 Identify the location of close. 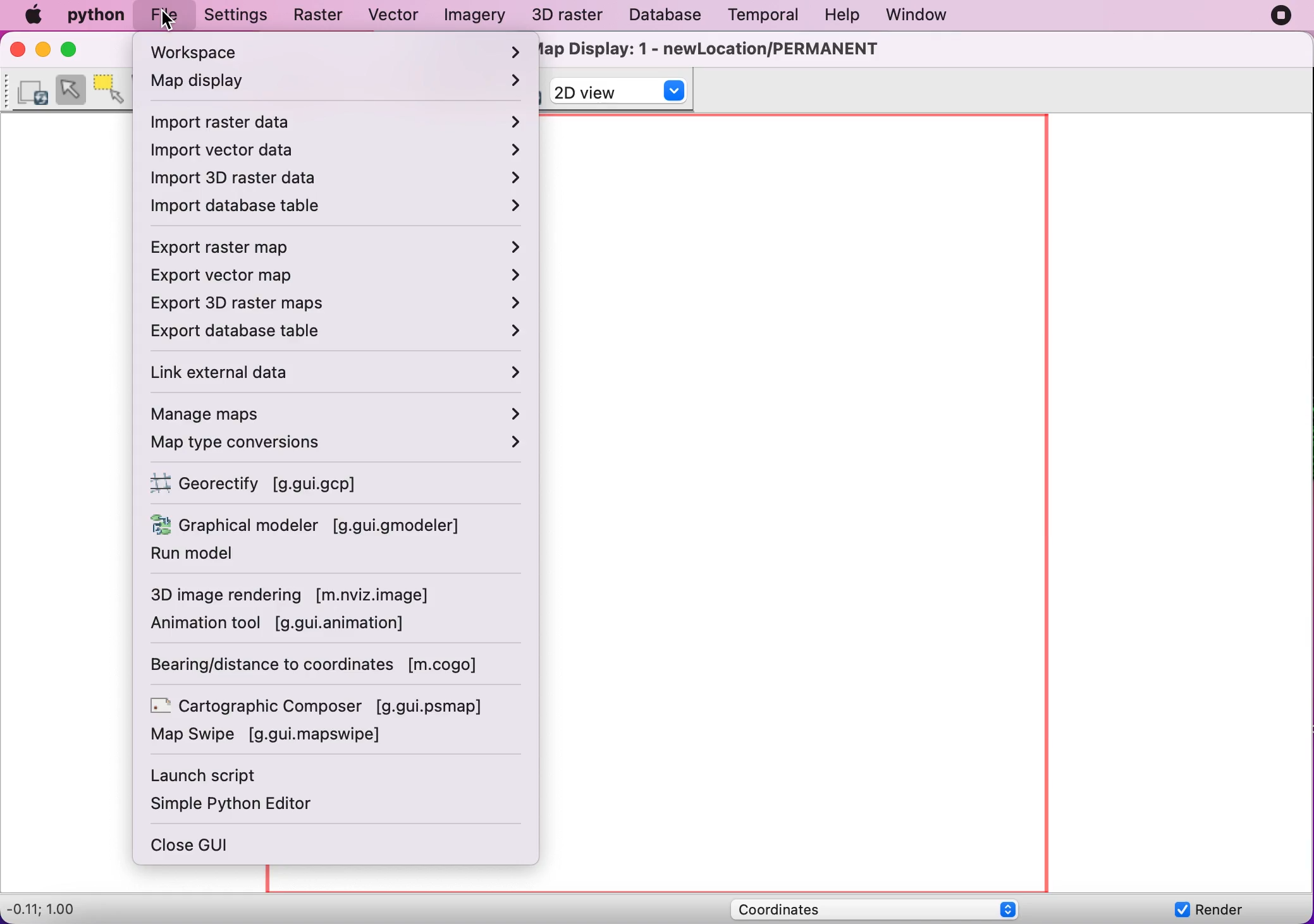
(14, 50).